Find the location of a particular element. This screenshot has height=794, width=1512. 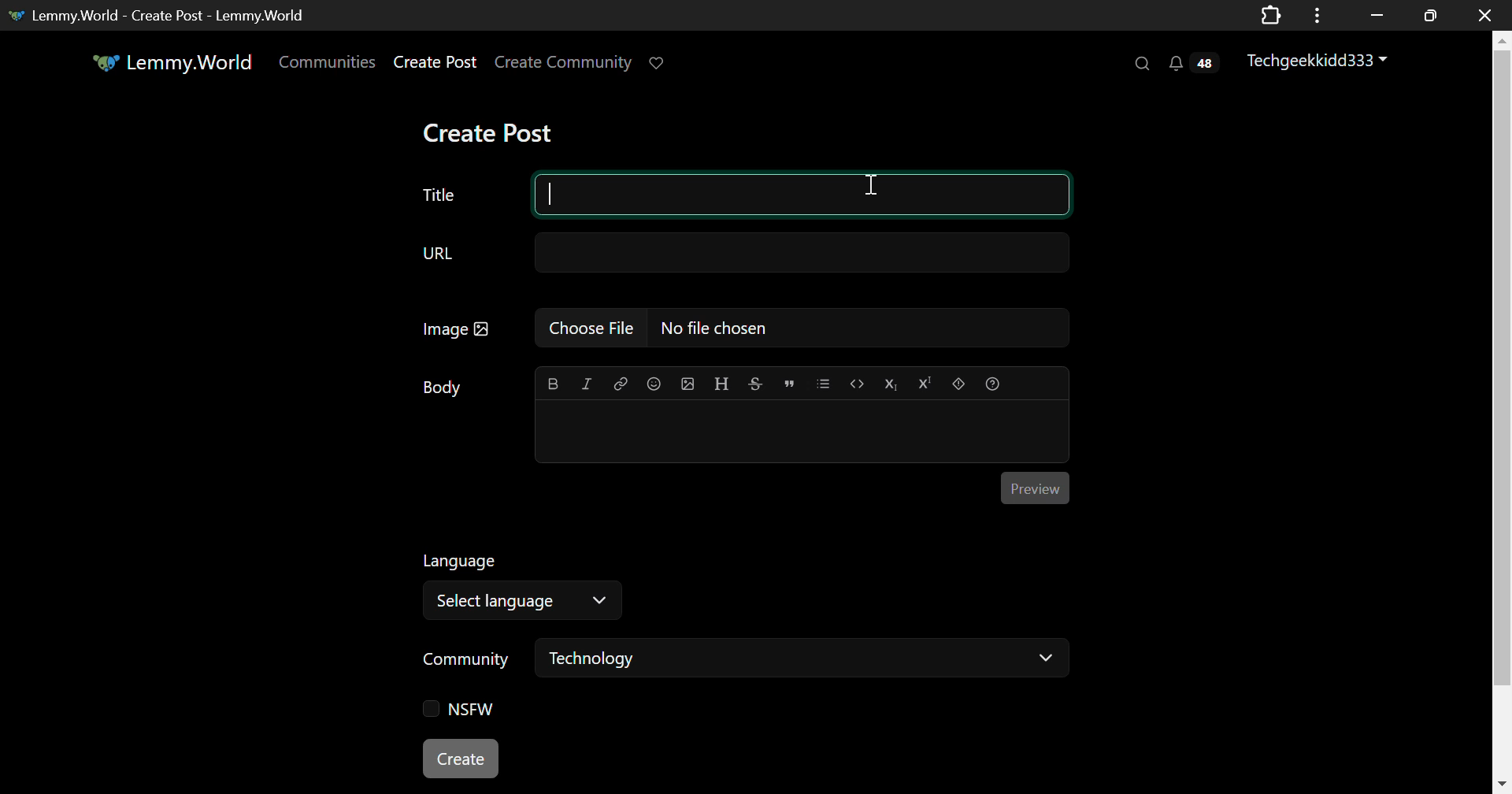

strikethrough is located at coordinates (753, 382).